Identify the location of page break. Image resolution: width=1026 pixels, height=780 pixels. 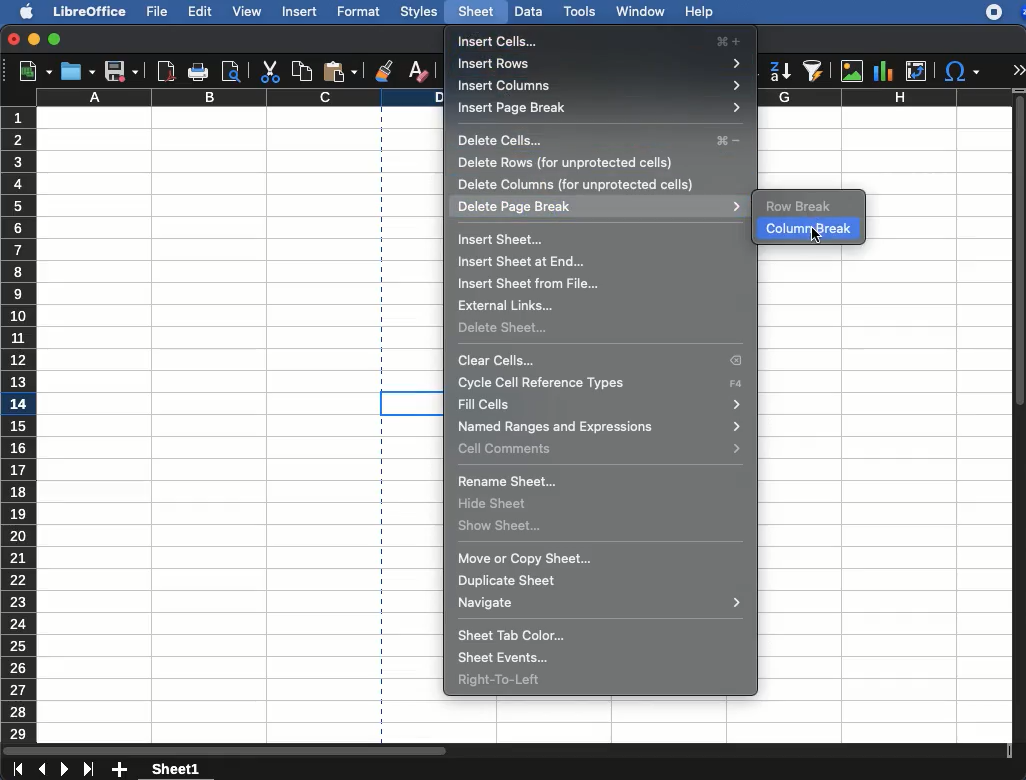
(381, 244).